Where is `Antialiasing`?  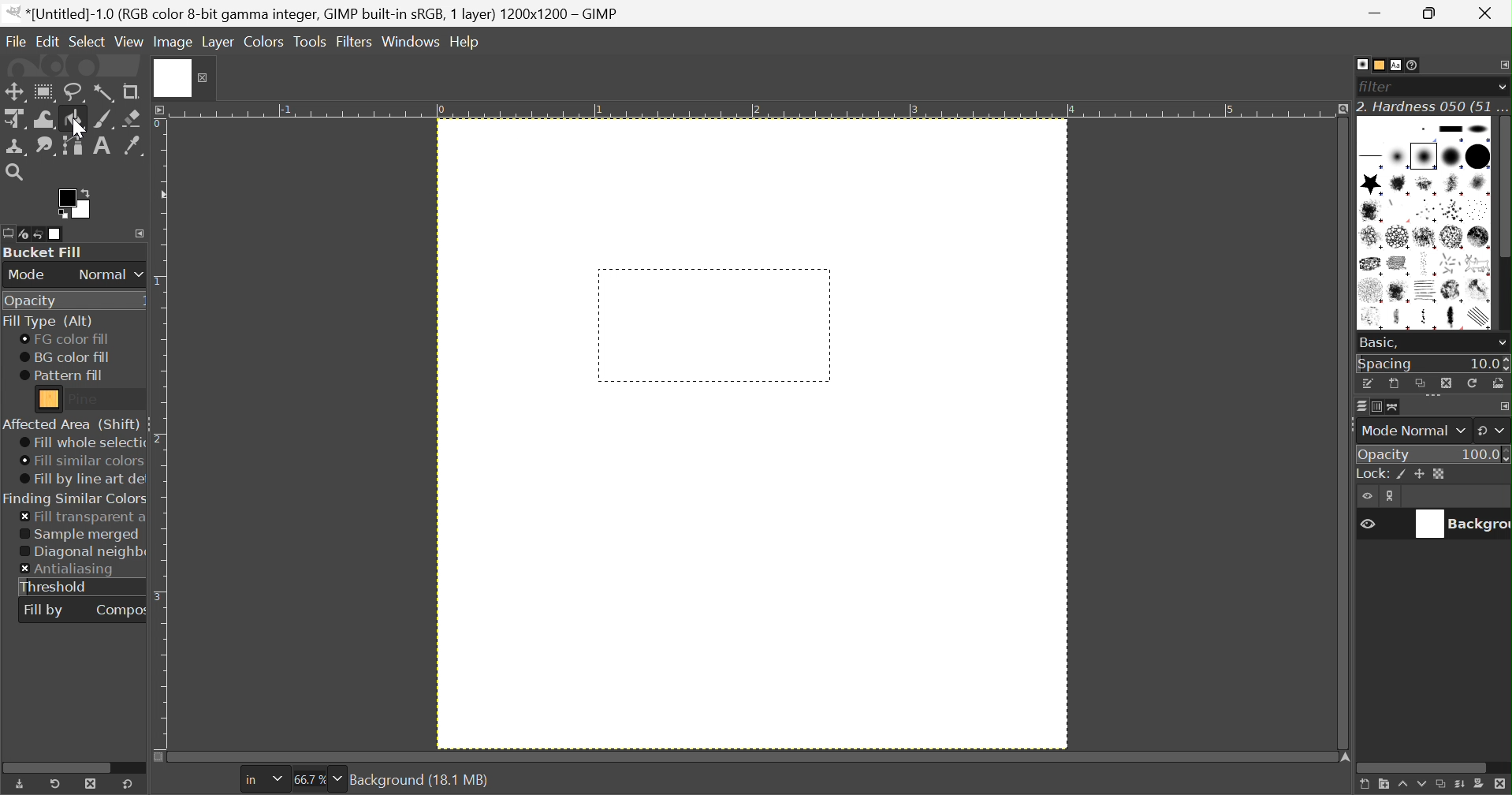 Antialiasing is located at coordinates (69, 570).